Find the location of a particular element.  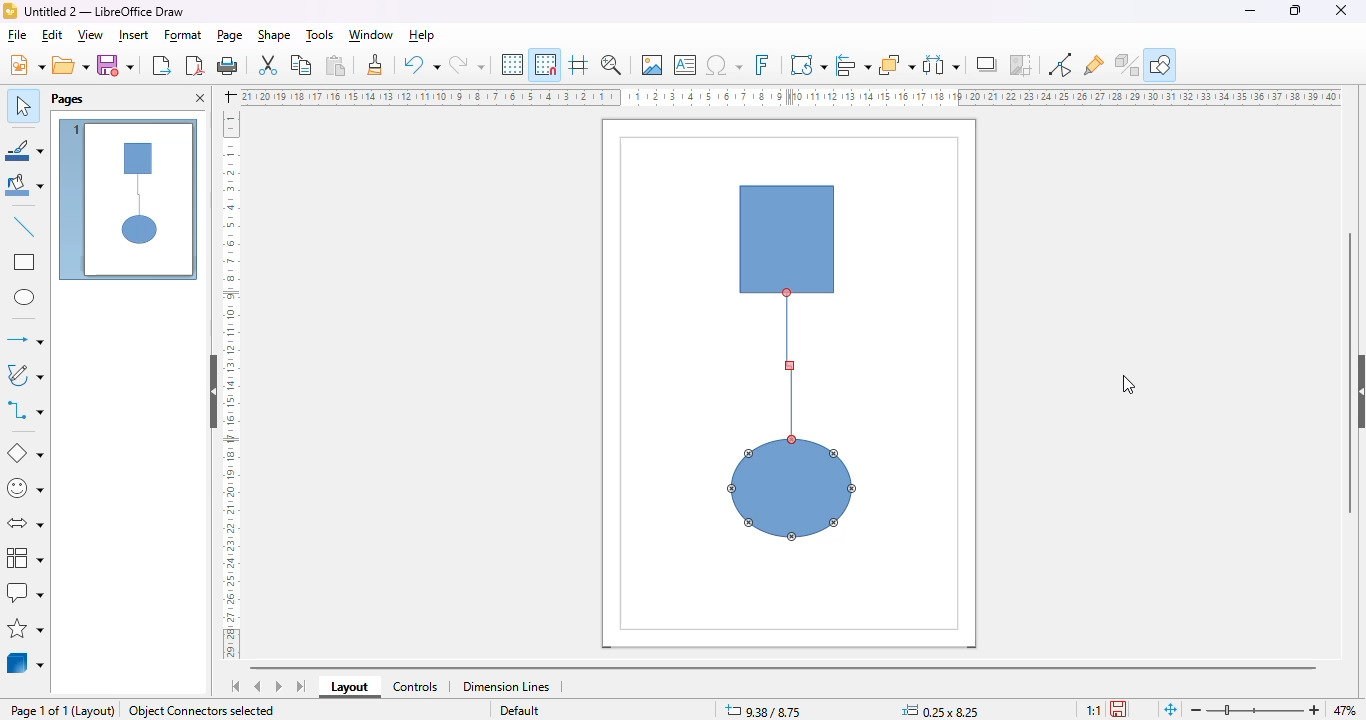

vertical scroll bar is located at coordinates (1351, 373).